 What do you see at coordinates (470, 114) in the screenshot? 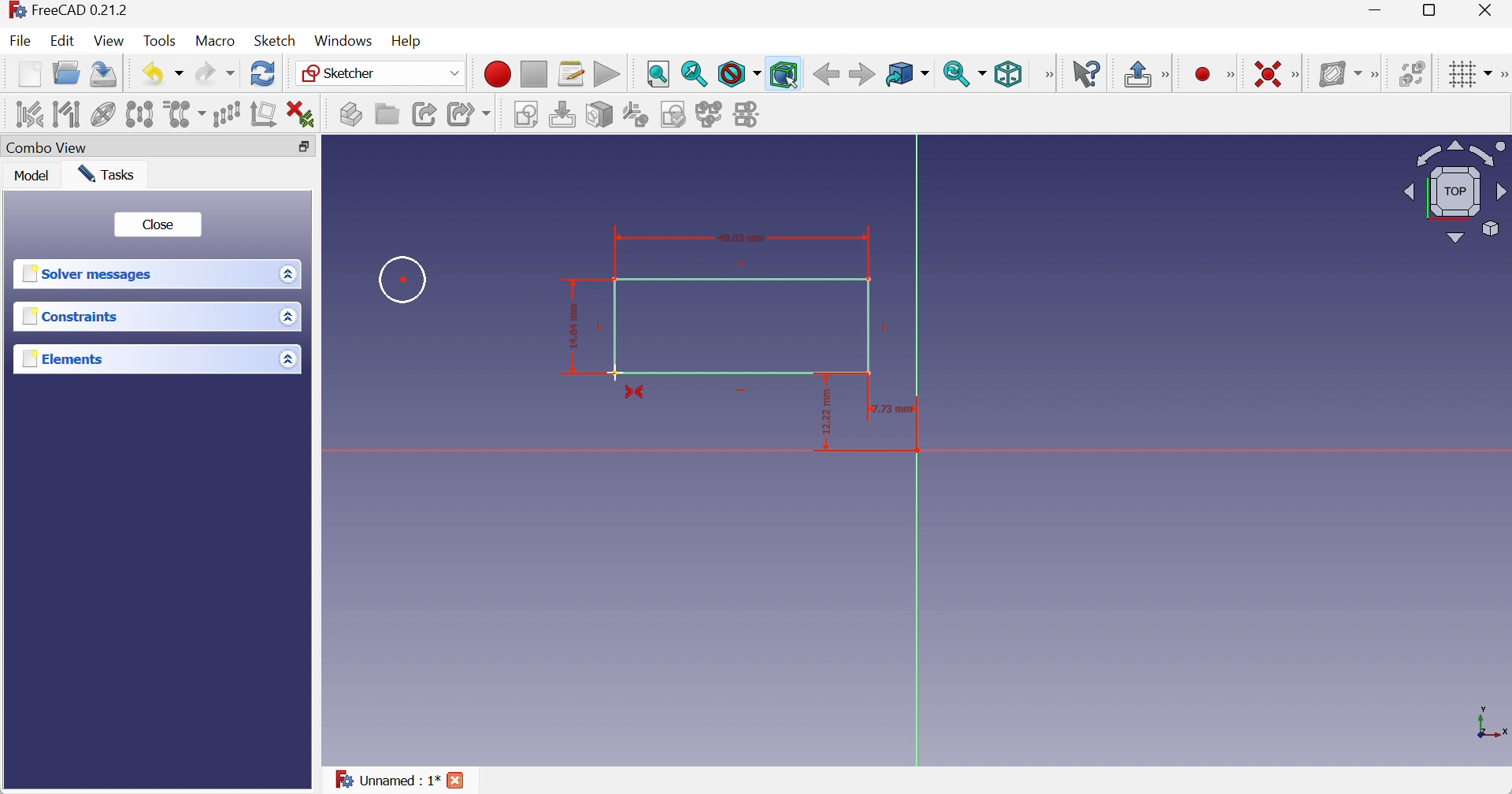
I see `Make sub-link` at bounding box center [470, 114].